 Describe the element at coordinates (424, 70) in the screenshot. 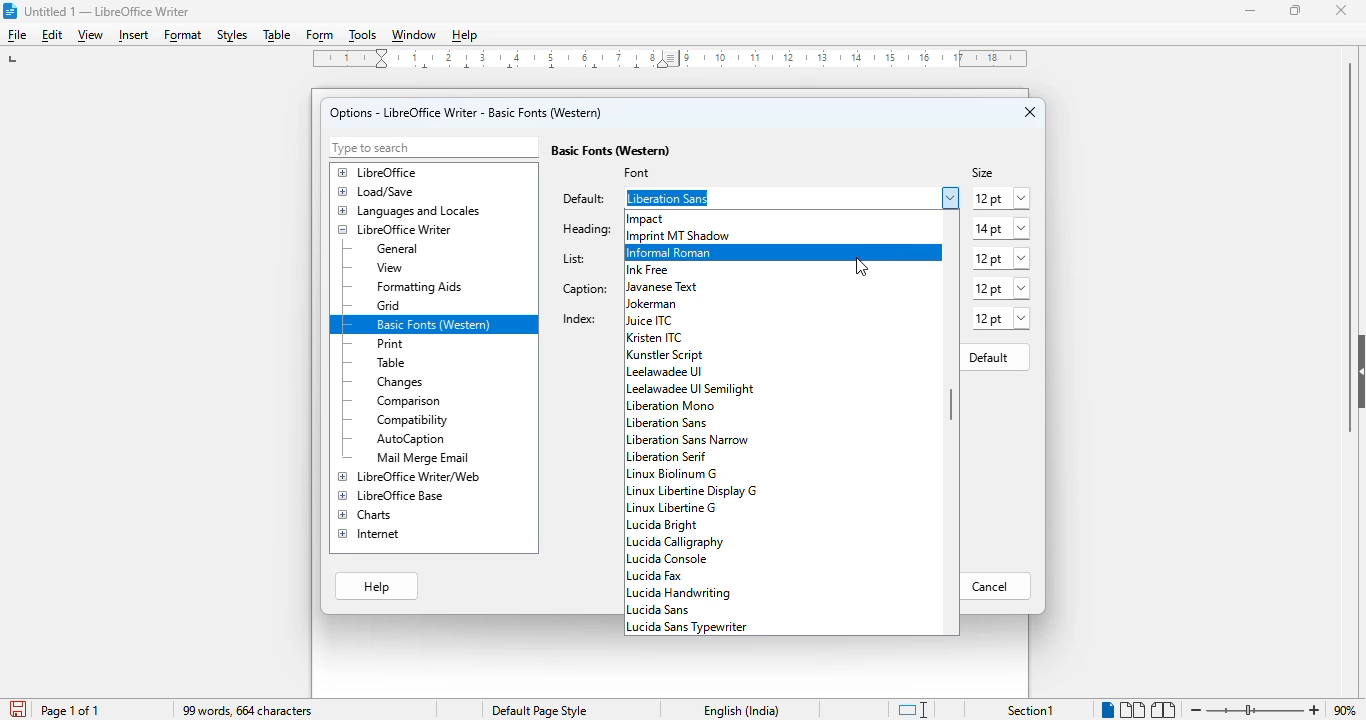

I see `center tab` at that location.